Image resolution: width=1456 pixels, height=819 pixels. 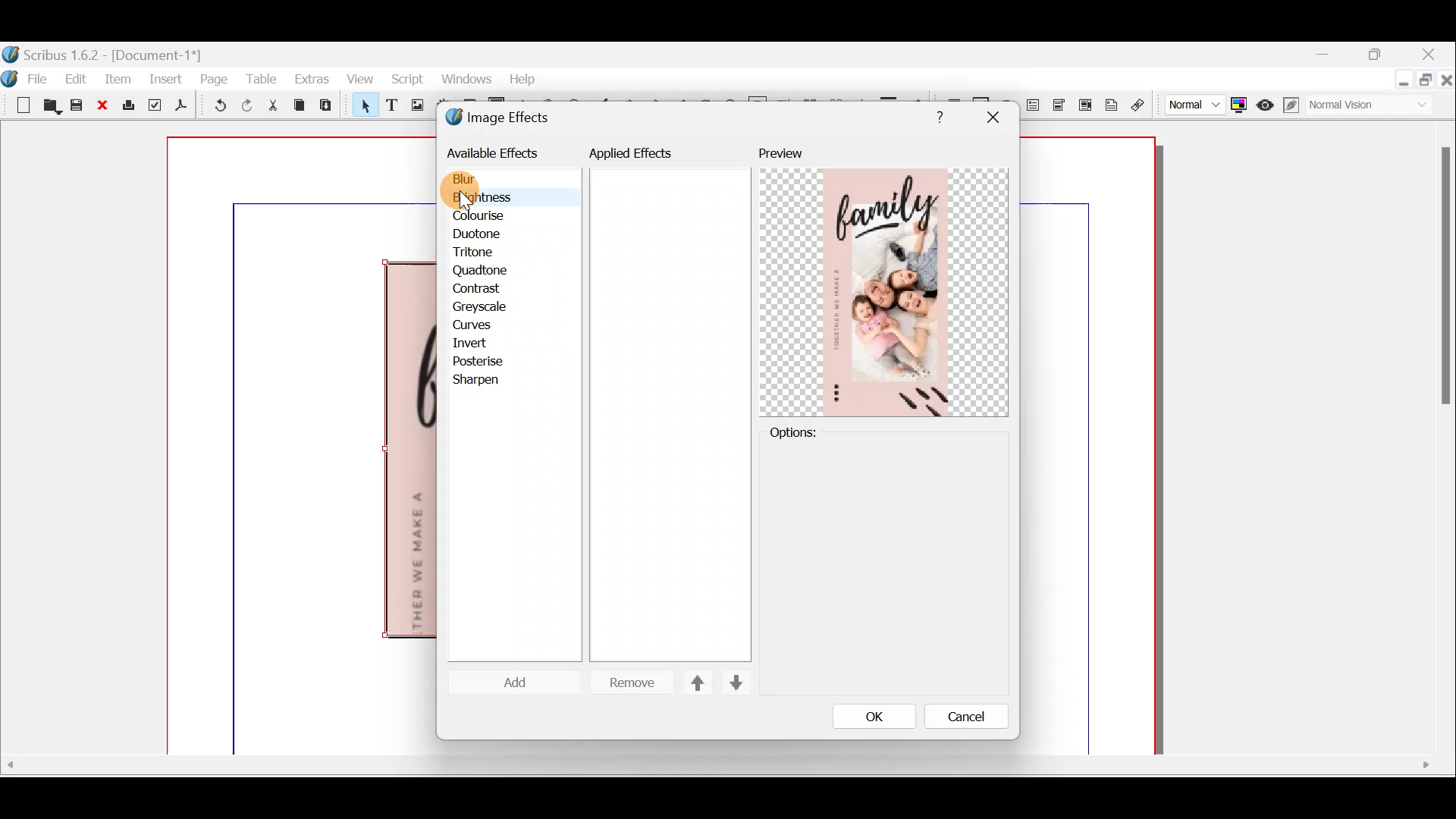 What do you see at coordinates (488, 361) in the screenshot?
I see `Posterise` at bounding box center [488, 361].